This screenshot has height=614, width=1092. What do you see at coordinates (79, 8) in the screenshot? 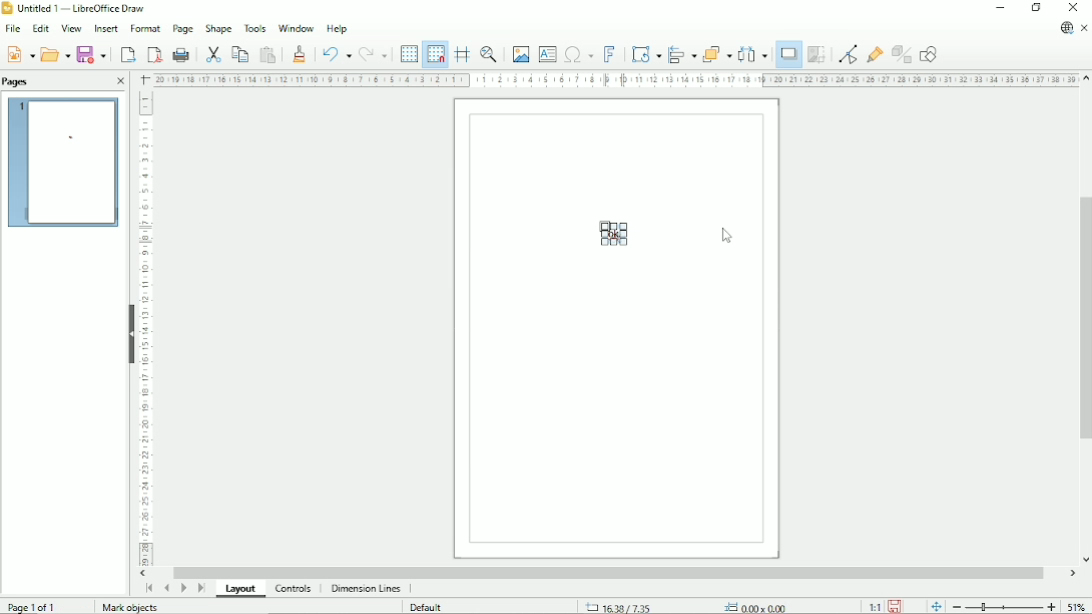
I see `Untitled 1 - LibreOffice Draw` at bounding box center [79, 8].